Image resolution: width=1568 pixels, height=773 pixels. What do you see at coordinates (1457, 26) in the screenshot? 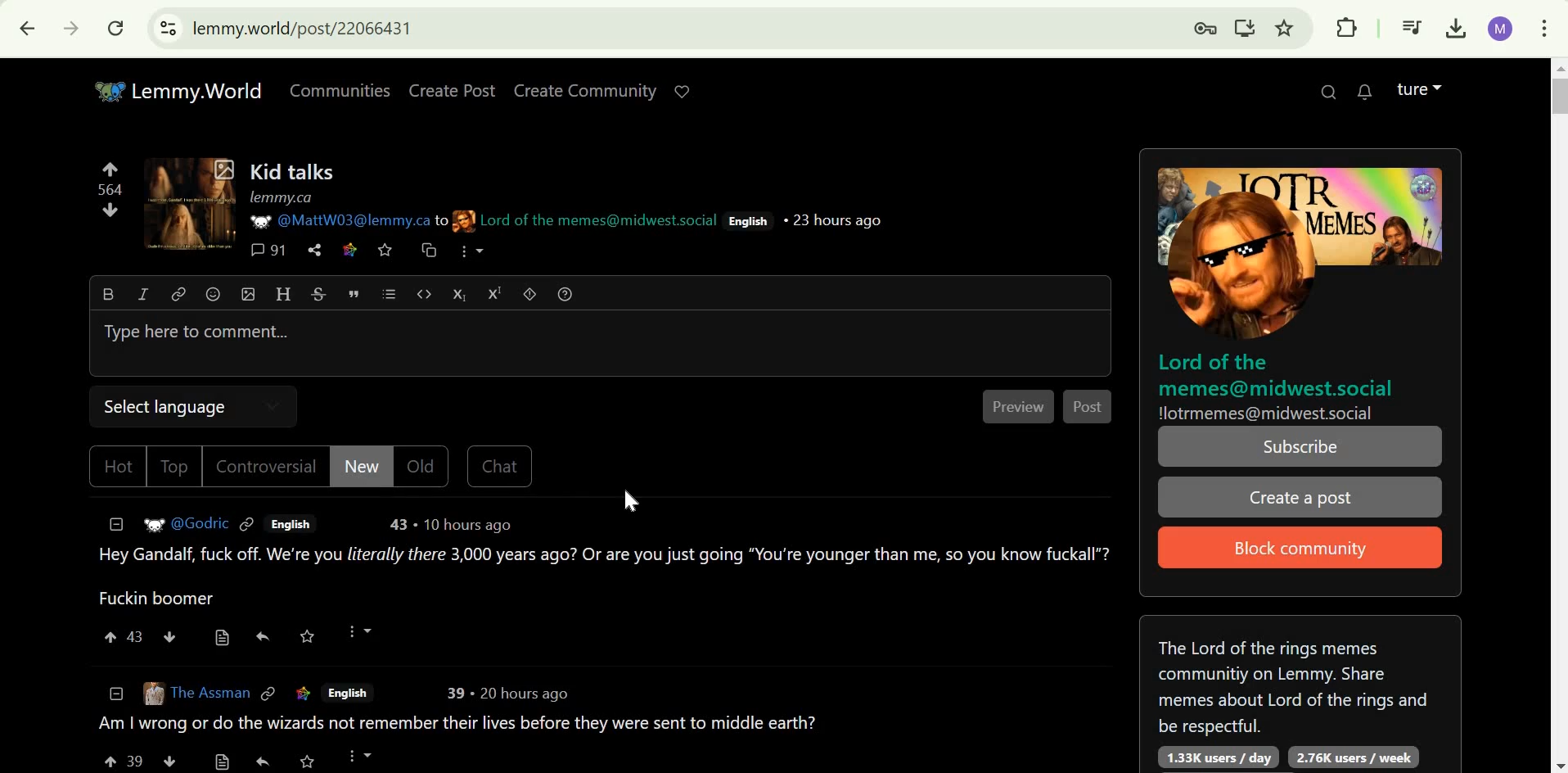
I see `Downloads` at bounding box center [1457, 26].